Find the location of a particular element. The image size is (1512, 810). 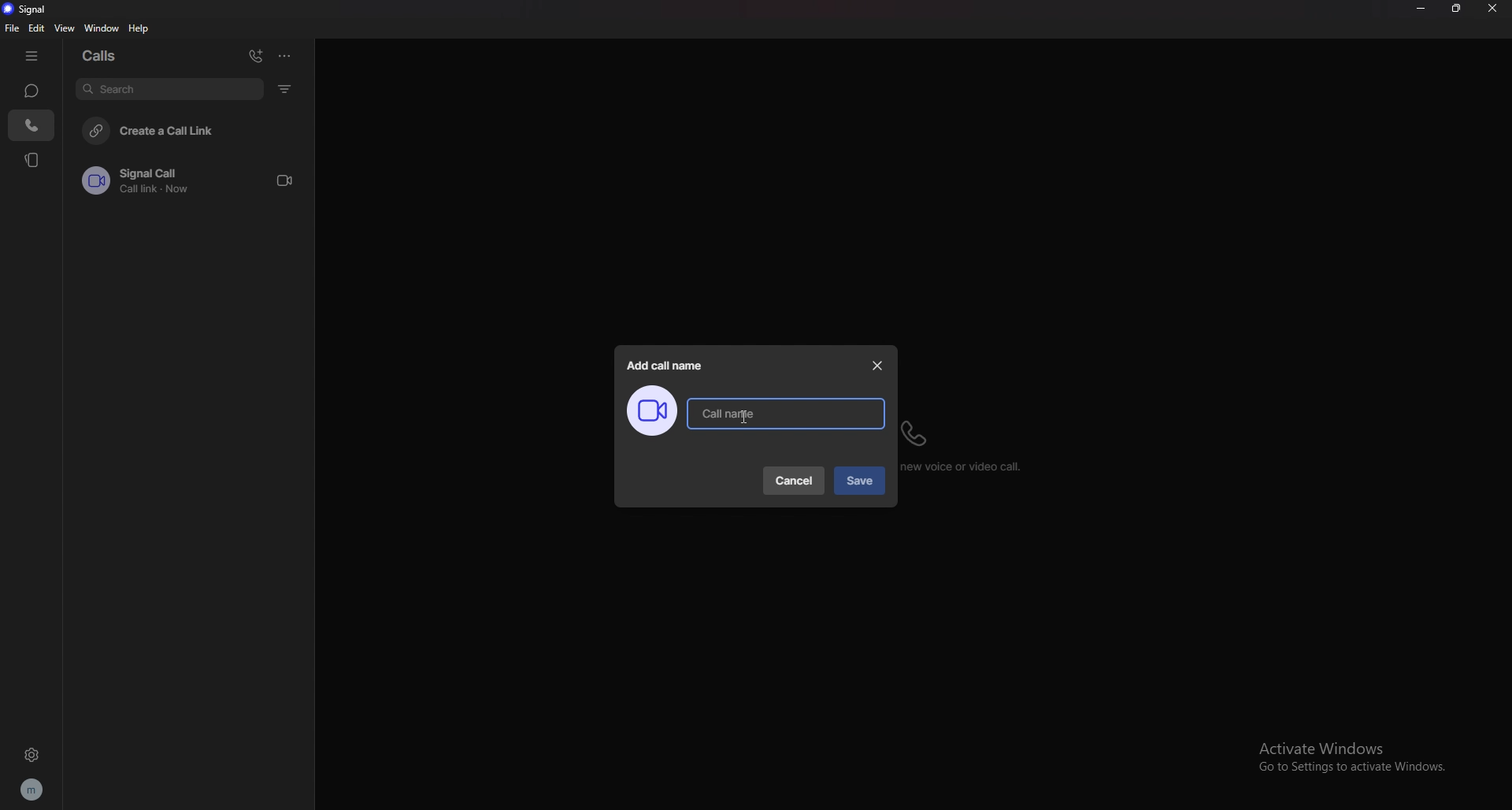

options is located at coordinates (284, 55).